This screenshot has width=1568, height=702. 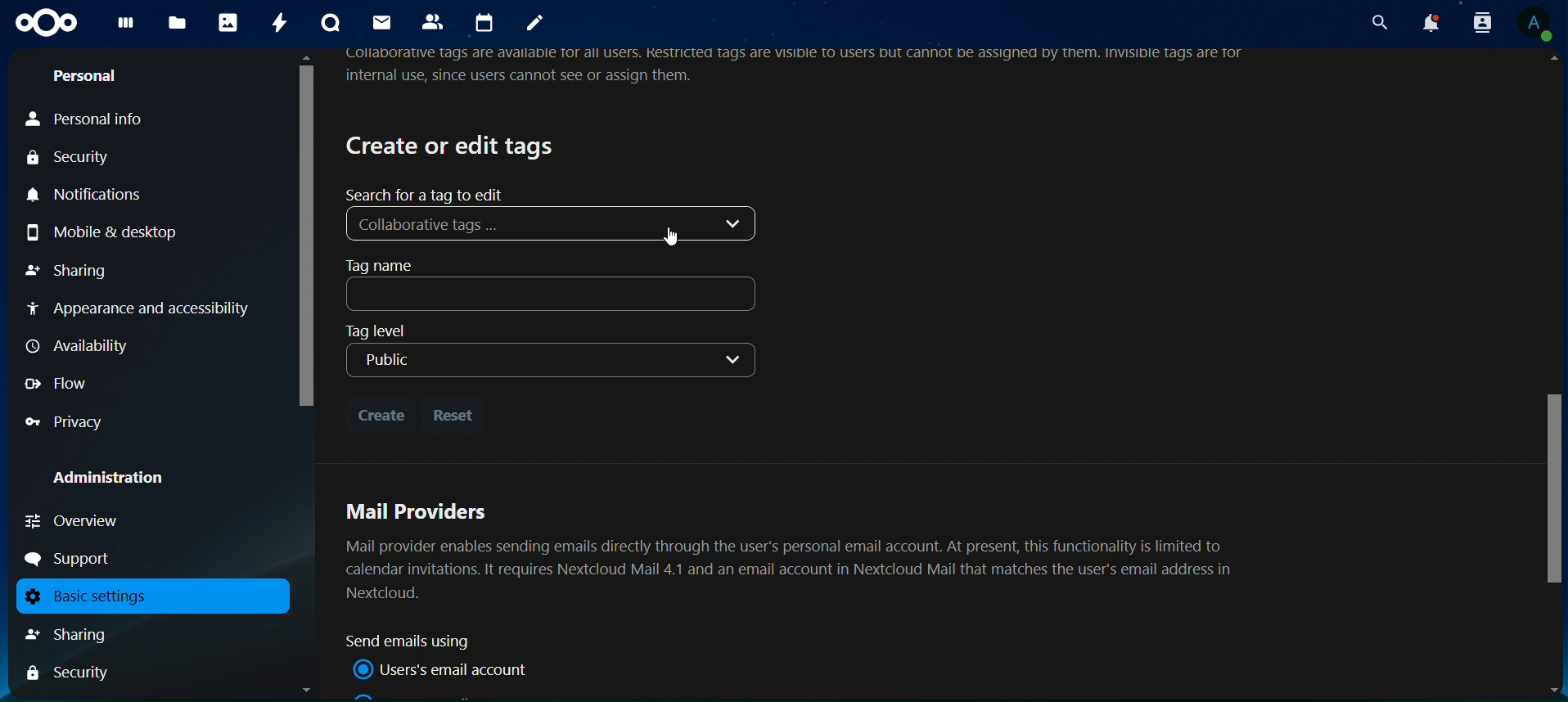 What do you see at coordinates (428, 194) in the screenshot?
I see `search for a tag to edit` at bounding box center [428, 194].